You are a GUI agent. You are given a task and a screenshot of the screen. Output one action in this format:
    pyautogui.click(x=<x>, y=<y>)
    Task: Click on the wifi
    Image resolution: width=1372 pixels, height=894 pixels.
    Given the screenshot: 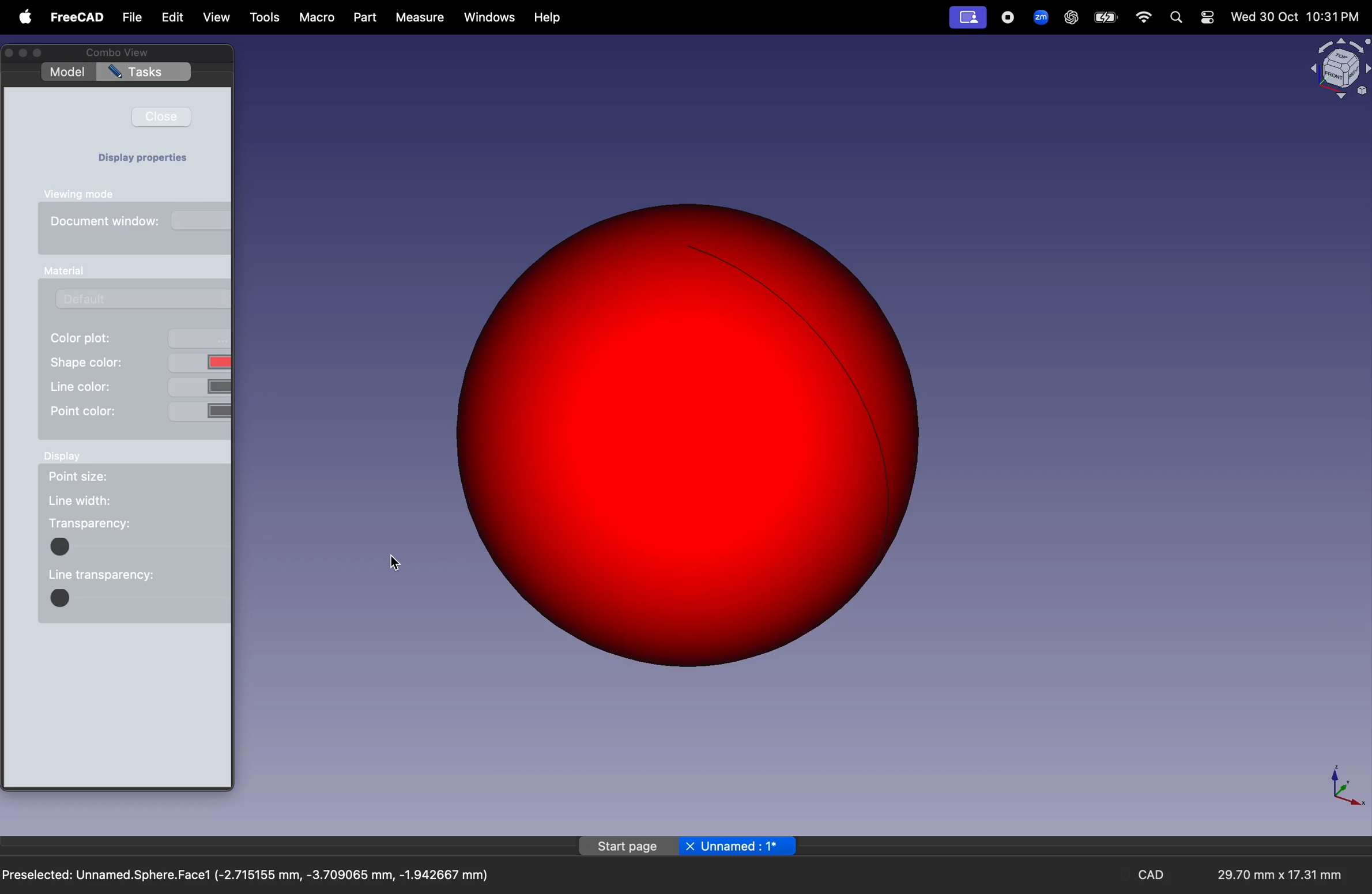 What is the action you would take?
    pyautogui.click(x=1144, y=17)
    